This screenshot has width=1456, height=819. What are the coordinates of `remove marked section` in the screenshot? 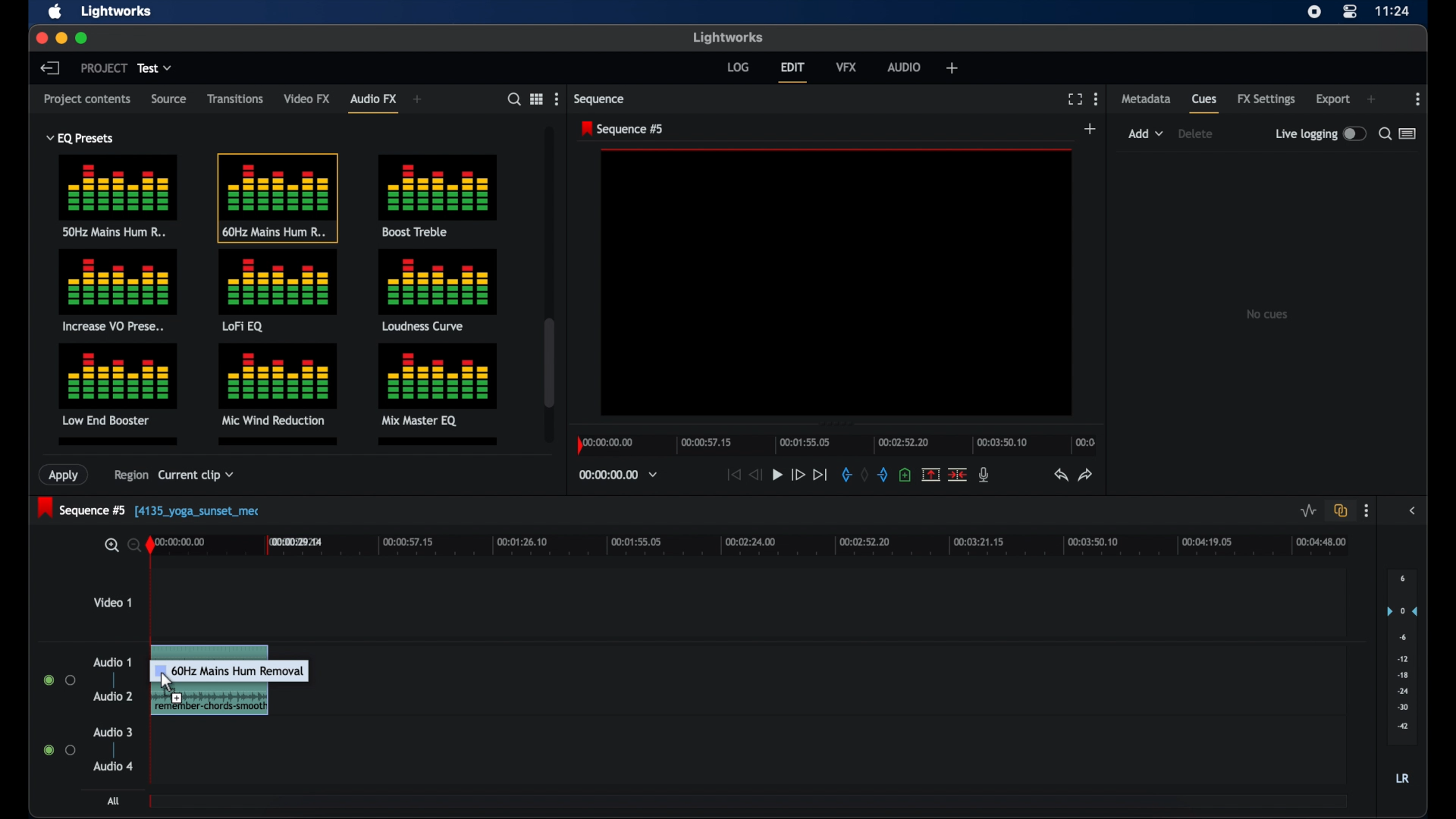 It's located at (930, 474).